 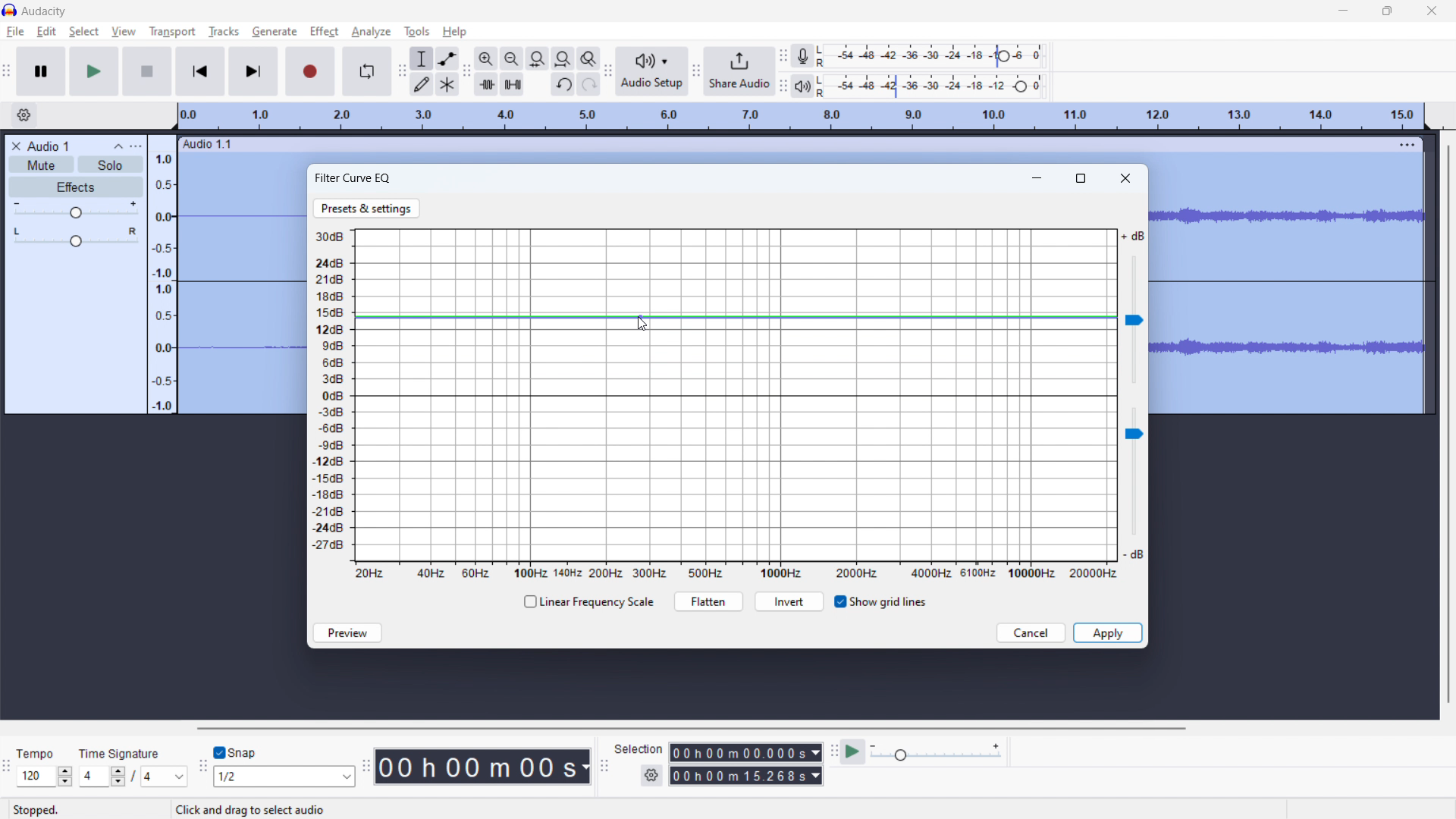 What do you see at coordinates (416, 32) in the screenshot?
I see `tools` at bounding box center [416, 32].